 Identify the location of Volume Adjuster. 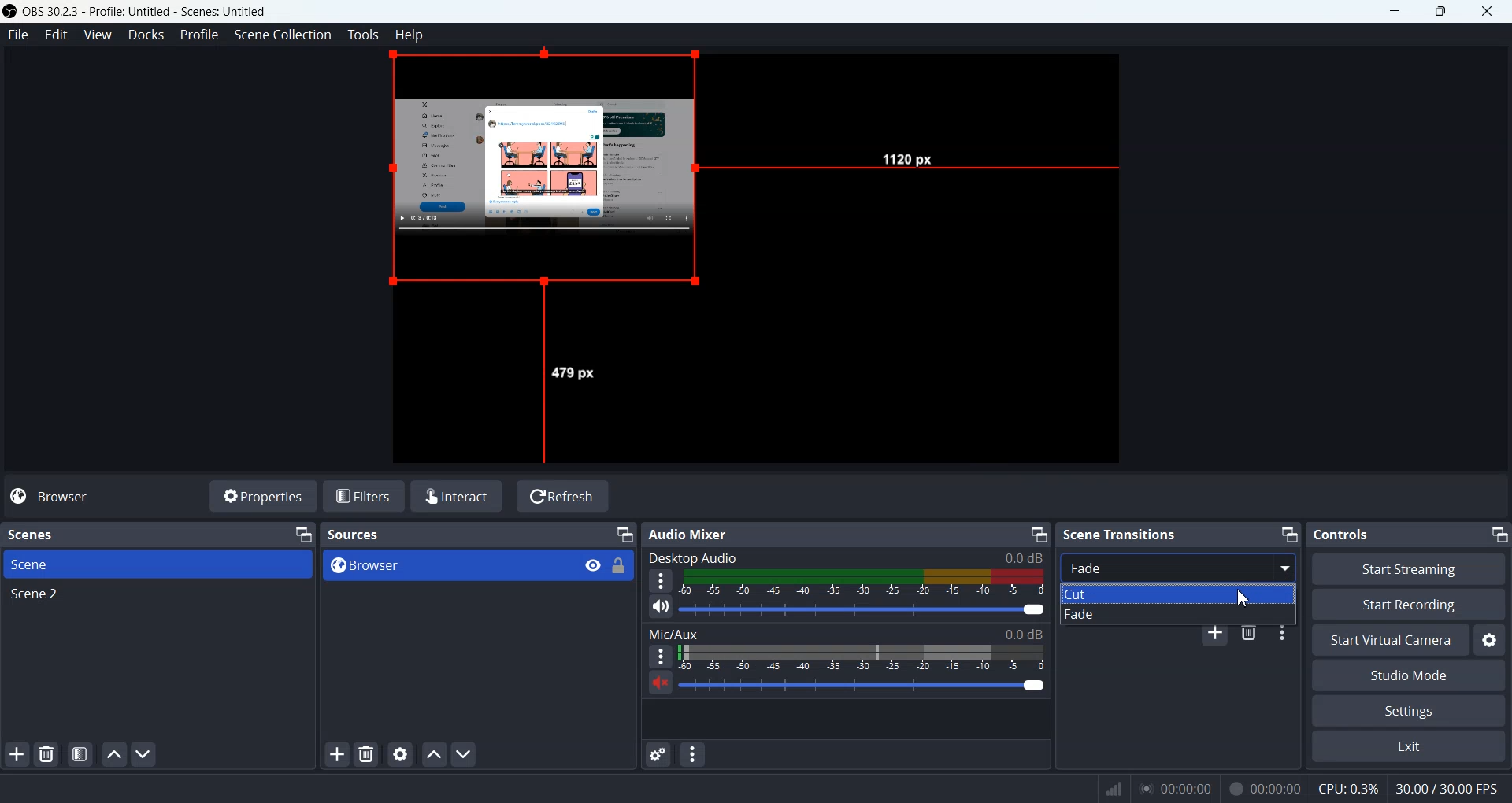
(862, 686).